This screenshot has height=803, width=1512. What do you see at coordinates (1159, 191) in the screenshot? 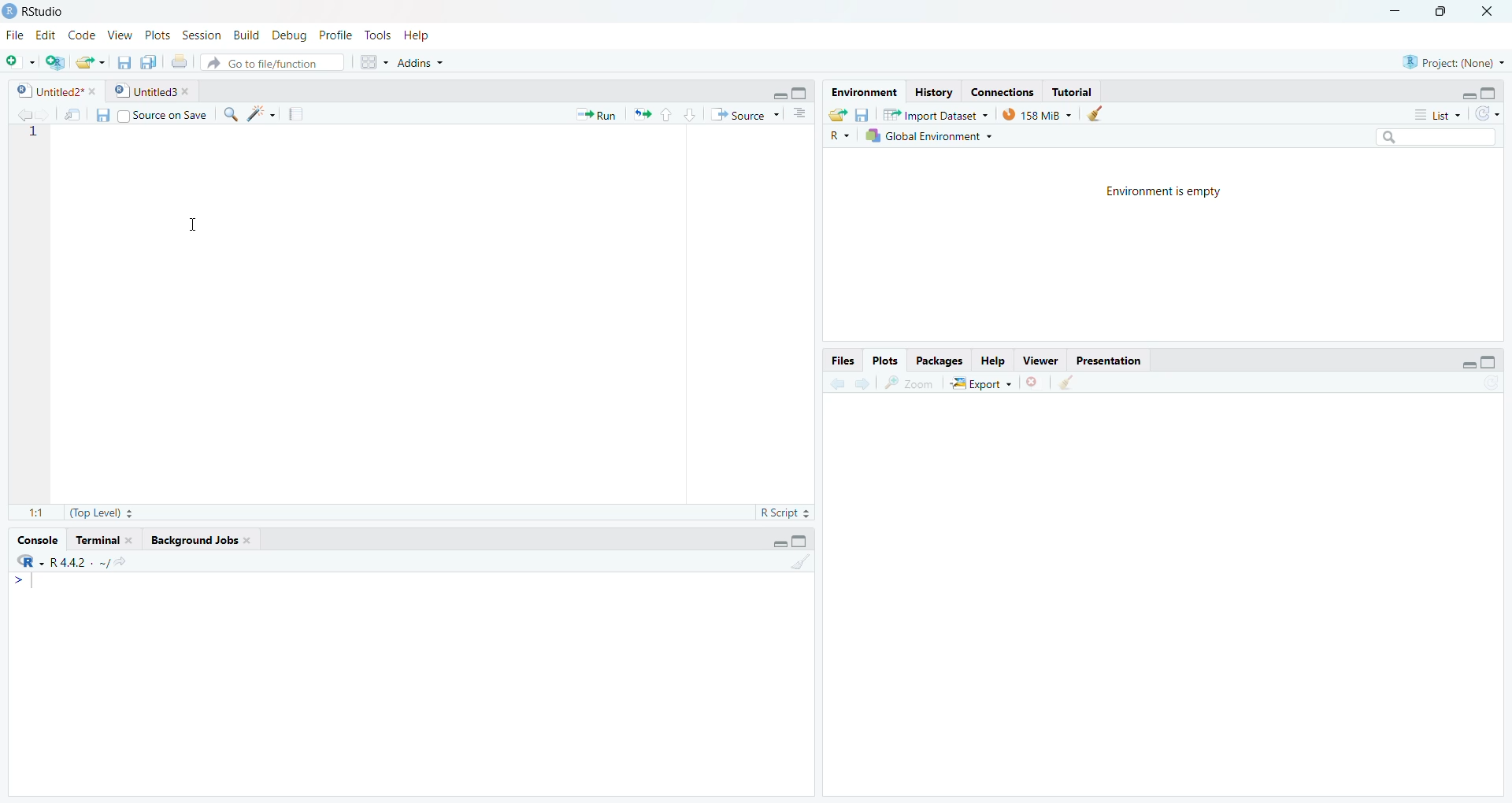
I see `Environment is empty` at bounding box center [1159, 191].